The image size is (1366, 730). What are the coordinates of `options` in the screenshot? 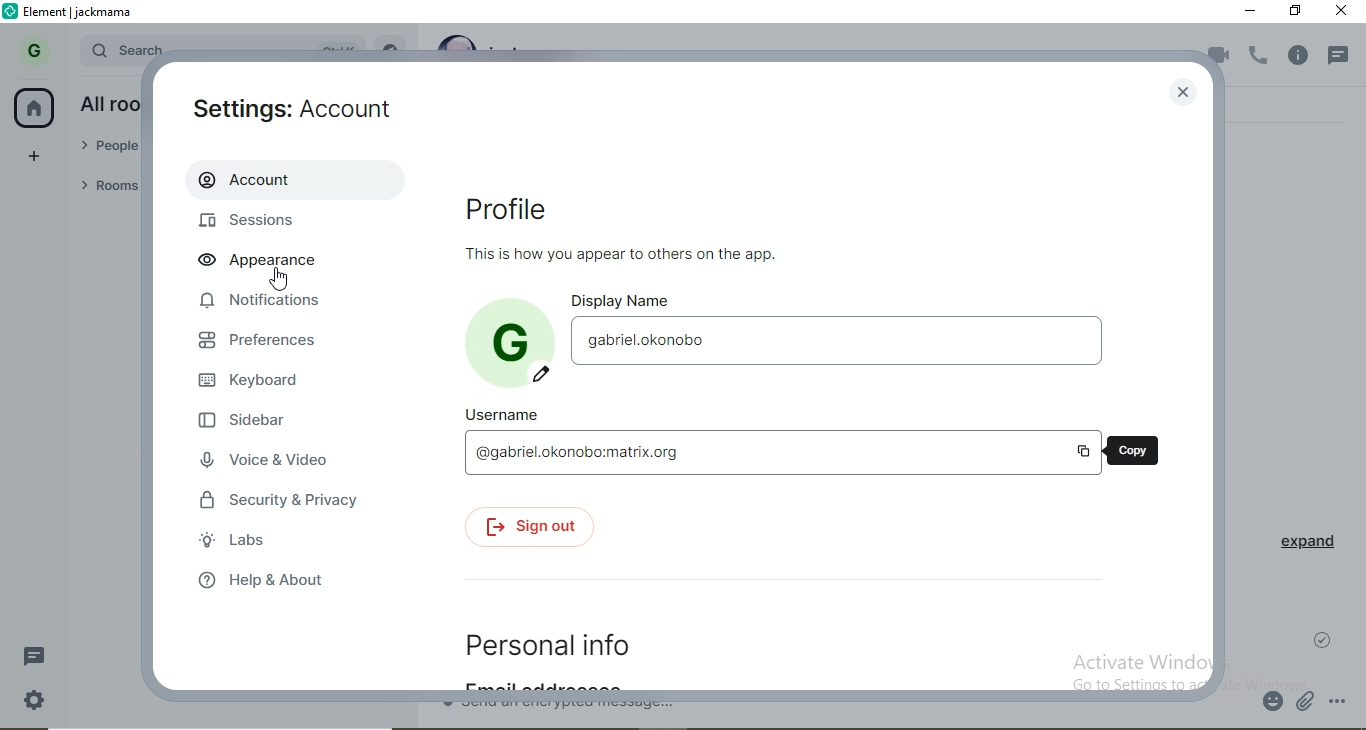 It's located at (1345, 702).